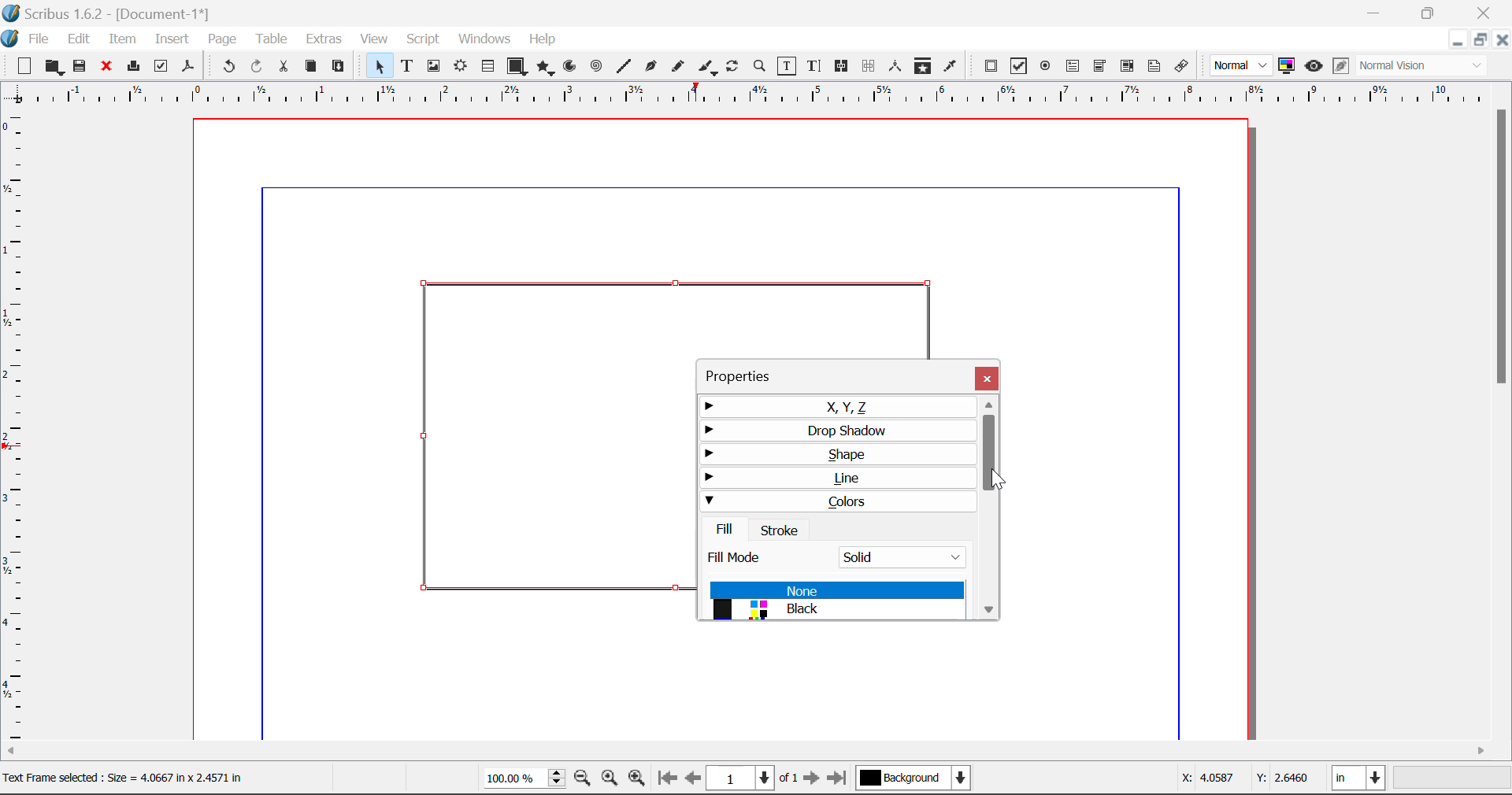 Image resolution: width=1512 pixels, height=795 pixels. What do you see at coordinates (835, 407) in the screenshot?
I see `X, Y, Z` at bounding box center [835, 407].